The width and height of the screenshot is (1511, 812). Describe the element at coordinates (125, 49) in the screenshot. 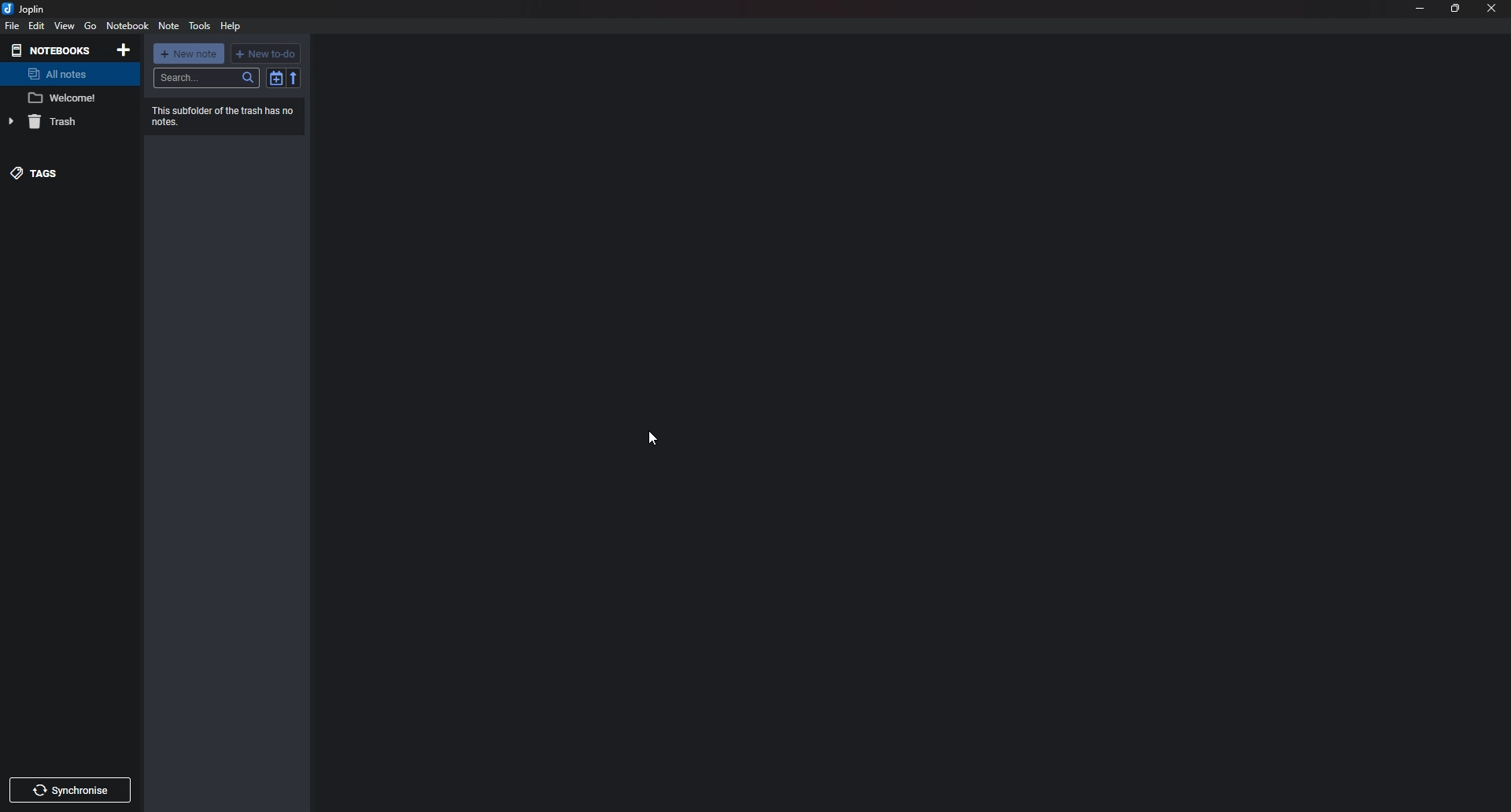

I see `Add notebooks` at that location.